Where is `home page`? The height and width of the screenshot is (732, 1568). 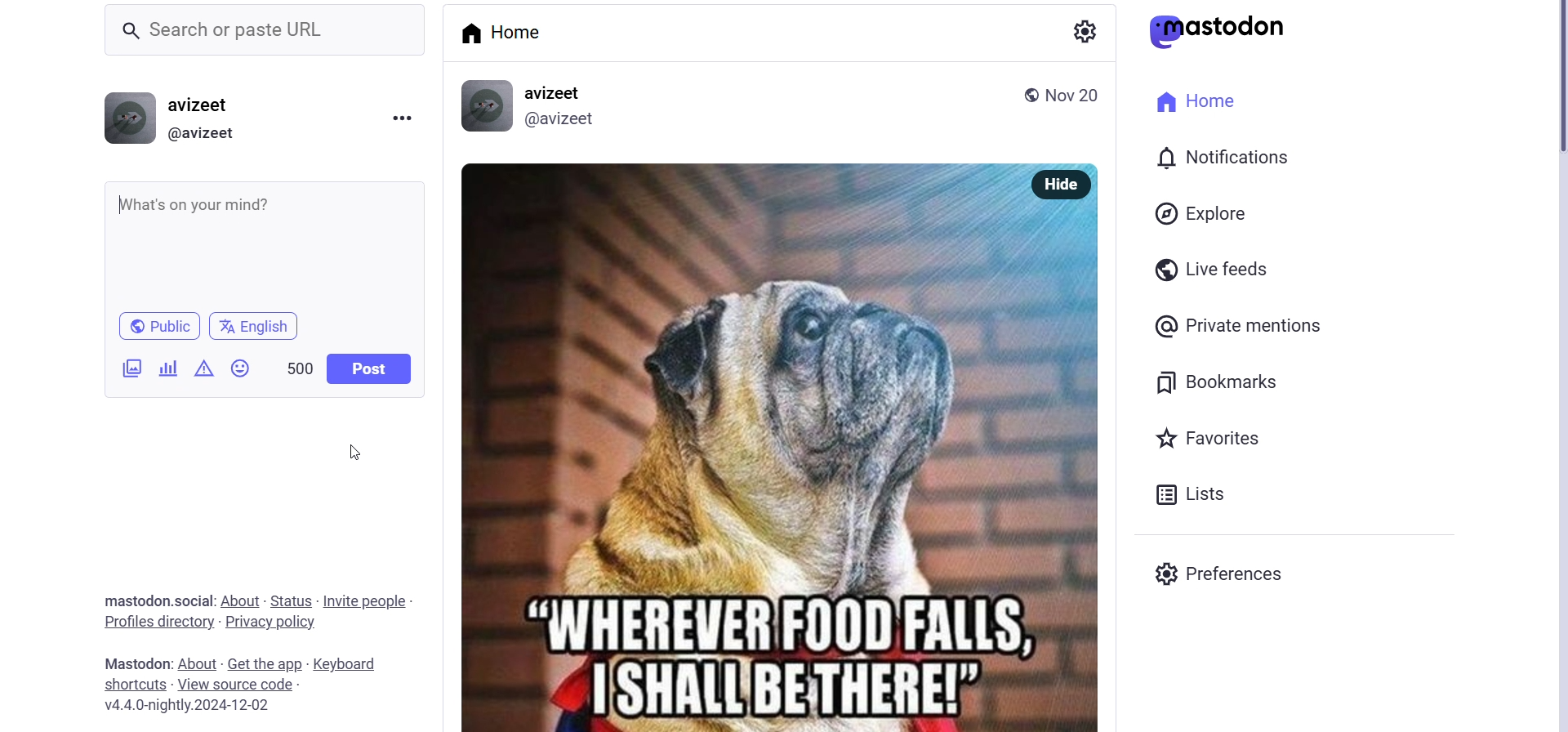
home page is located at coordinates (506, 33).